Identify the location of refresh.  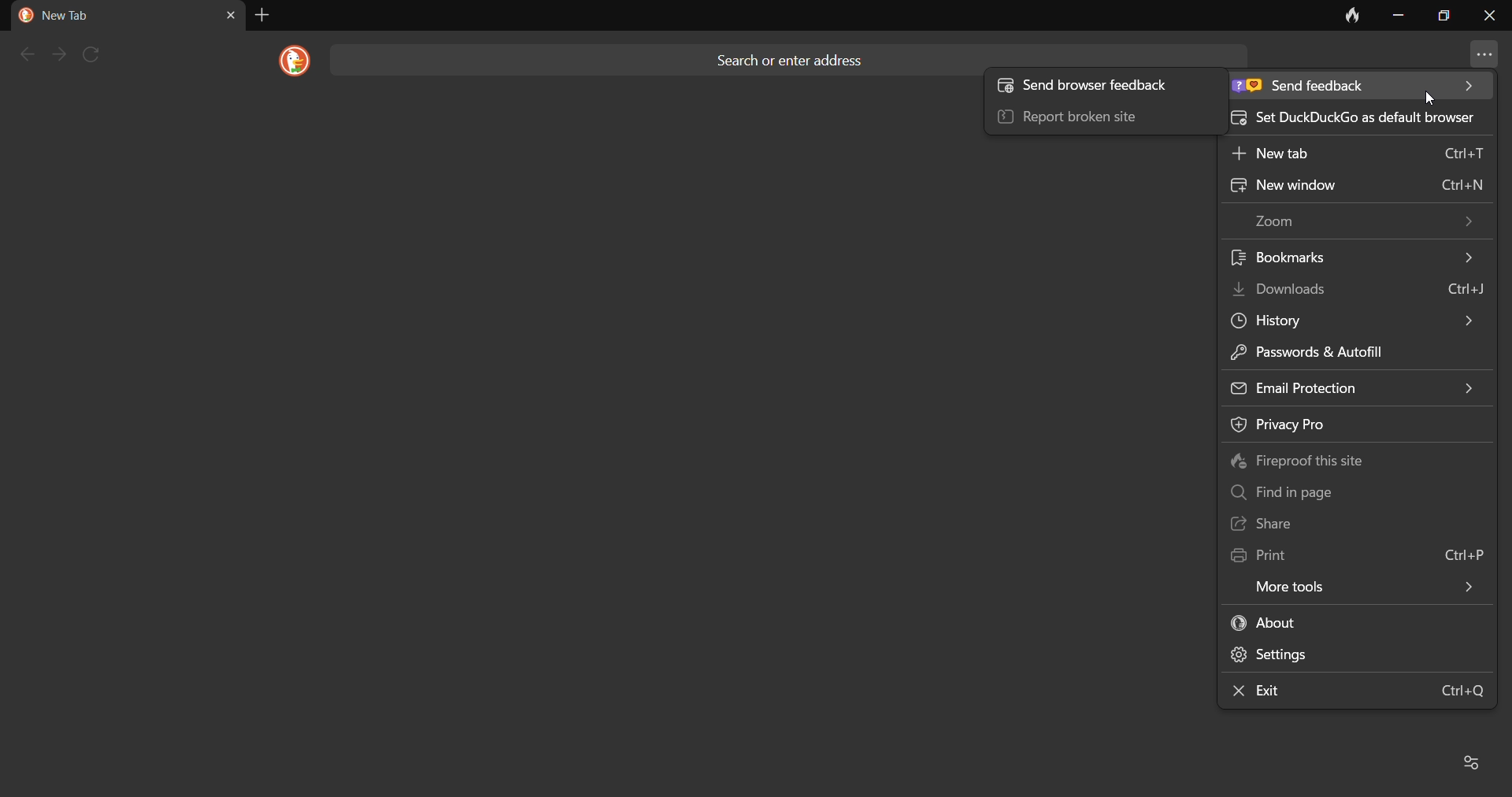
(98, 54).